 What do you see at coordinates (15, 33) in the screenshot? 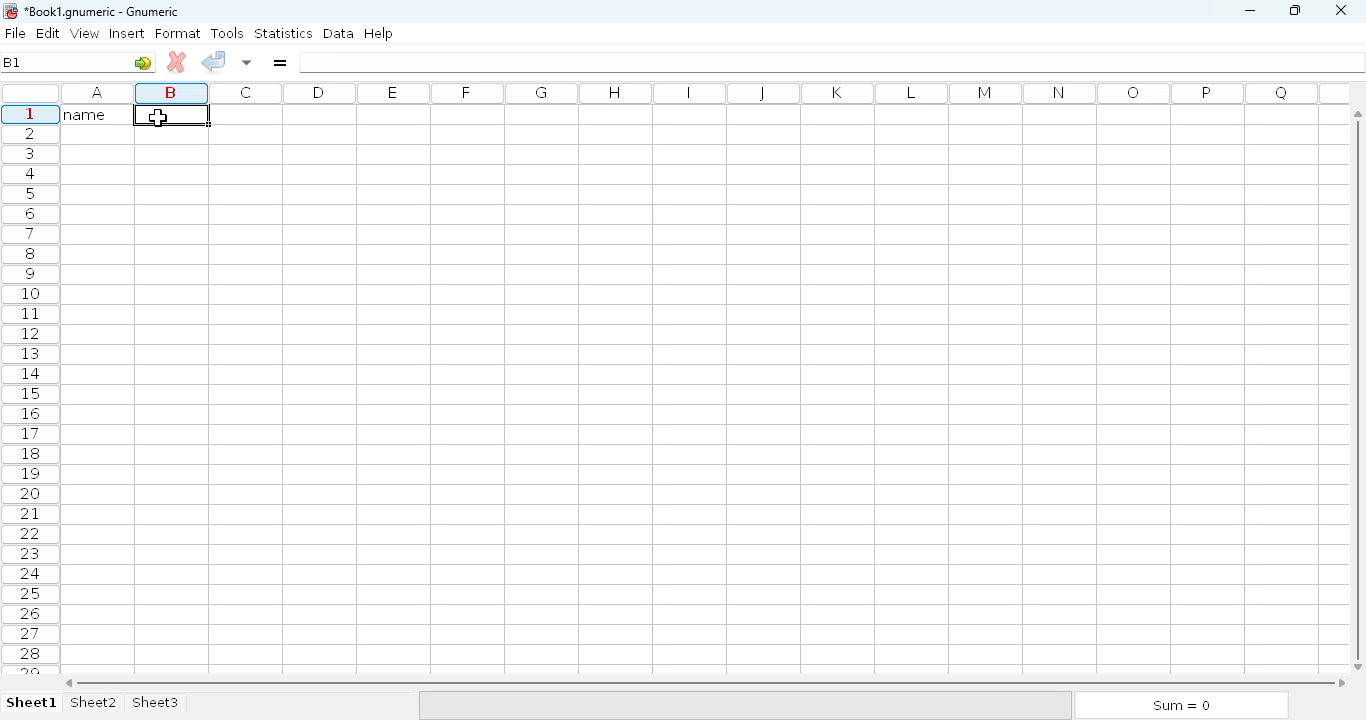
I see `file` at bounding box center [15, 33].